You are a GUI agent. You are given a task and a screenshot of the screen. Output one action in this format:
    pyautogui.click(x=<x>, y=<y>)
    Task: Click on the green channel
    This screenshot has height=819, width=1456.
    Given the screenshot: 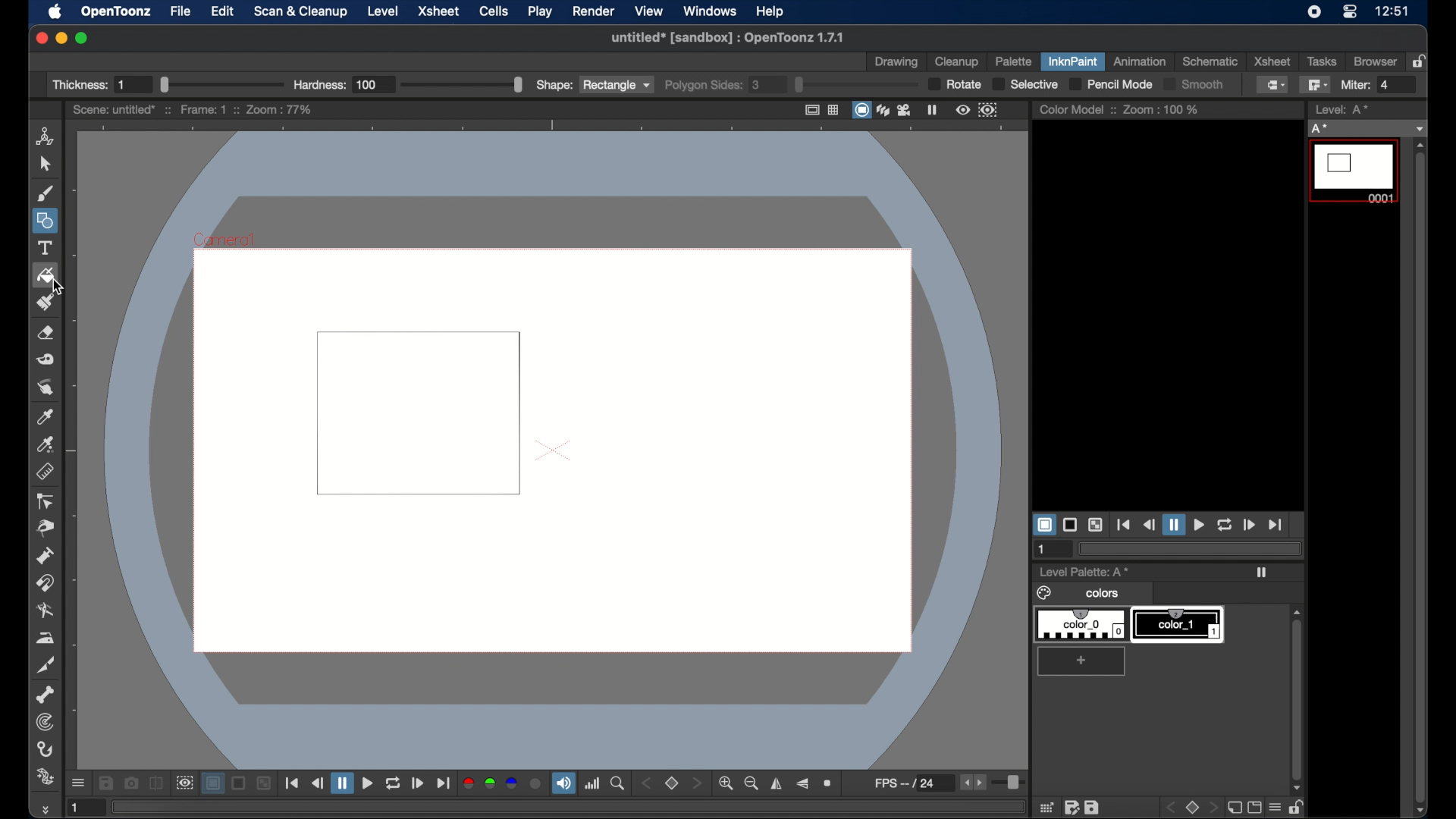 What is the action you would take?
    pyautogui.click(x=491, y=783)
    